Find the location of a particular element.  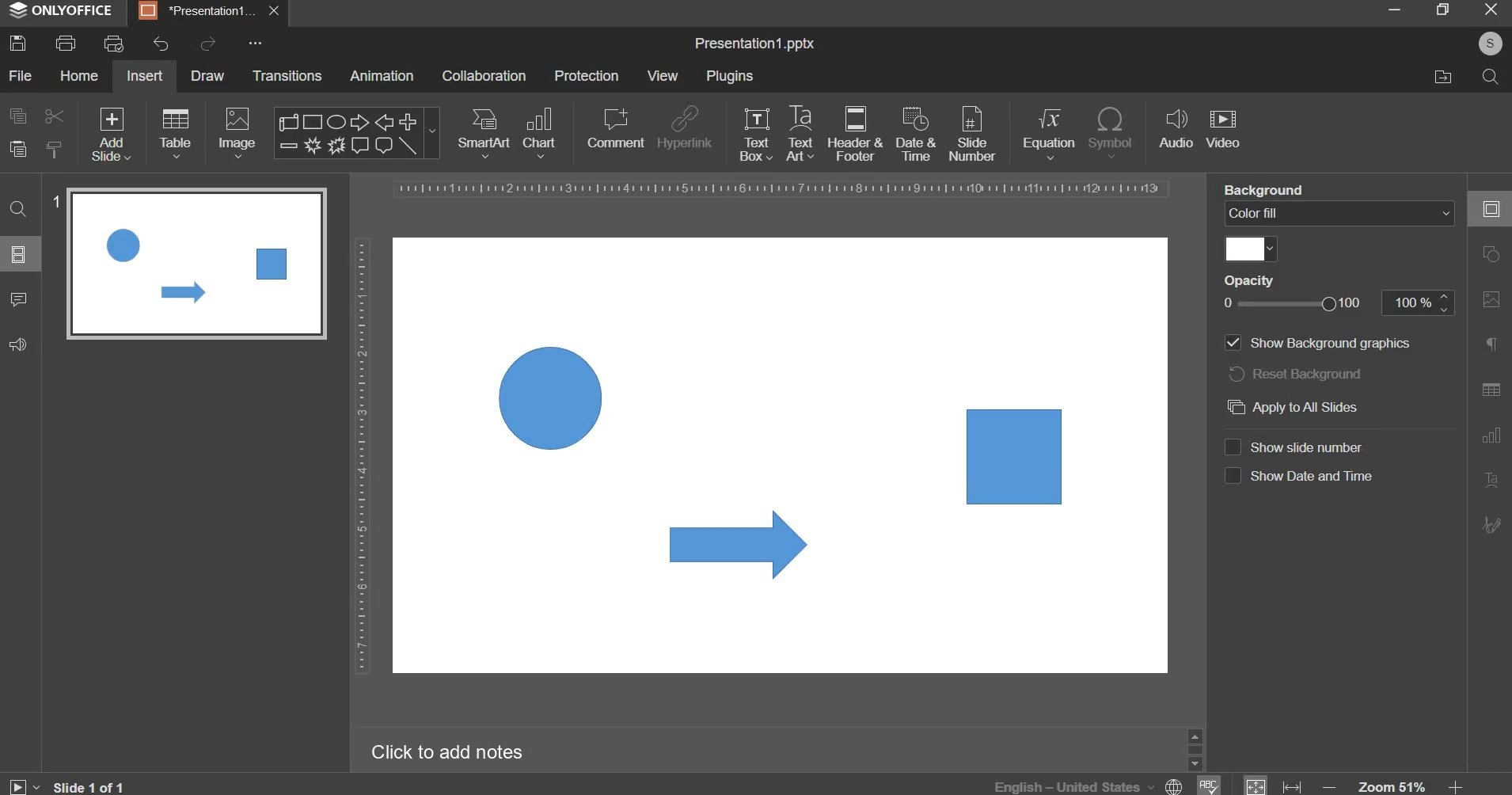

slide number is located at coordinates (1308, 447).